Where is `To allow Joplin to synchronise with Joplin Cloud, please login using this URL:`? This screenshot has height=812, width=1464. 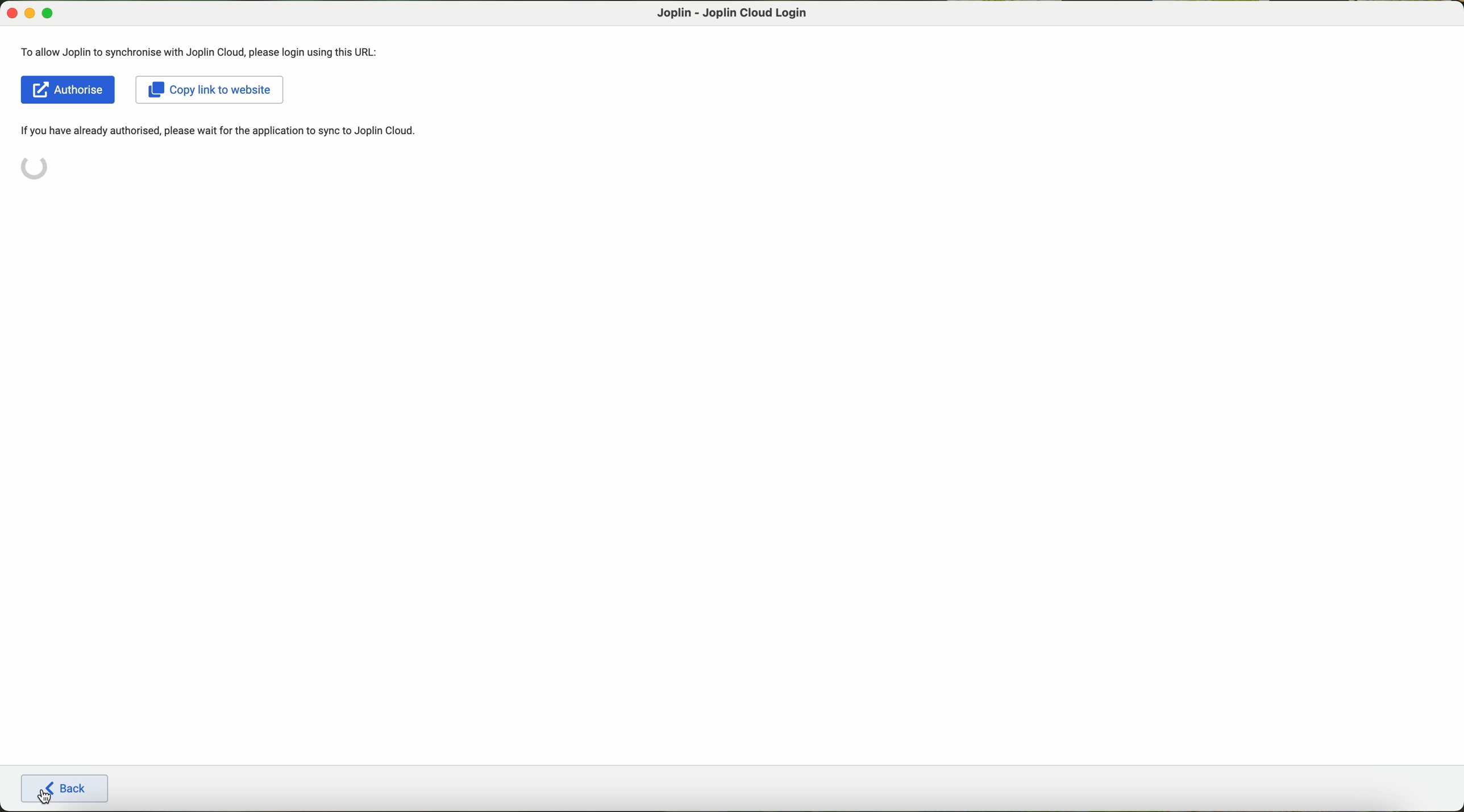
To allow Joplin to synchronise with Joplin Cloud, please login using this URL: is located at coordinates (202, 52).